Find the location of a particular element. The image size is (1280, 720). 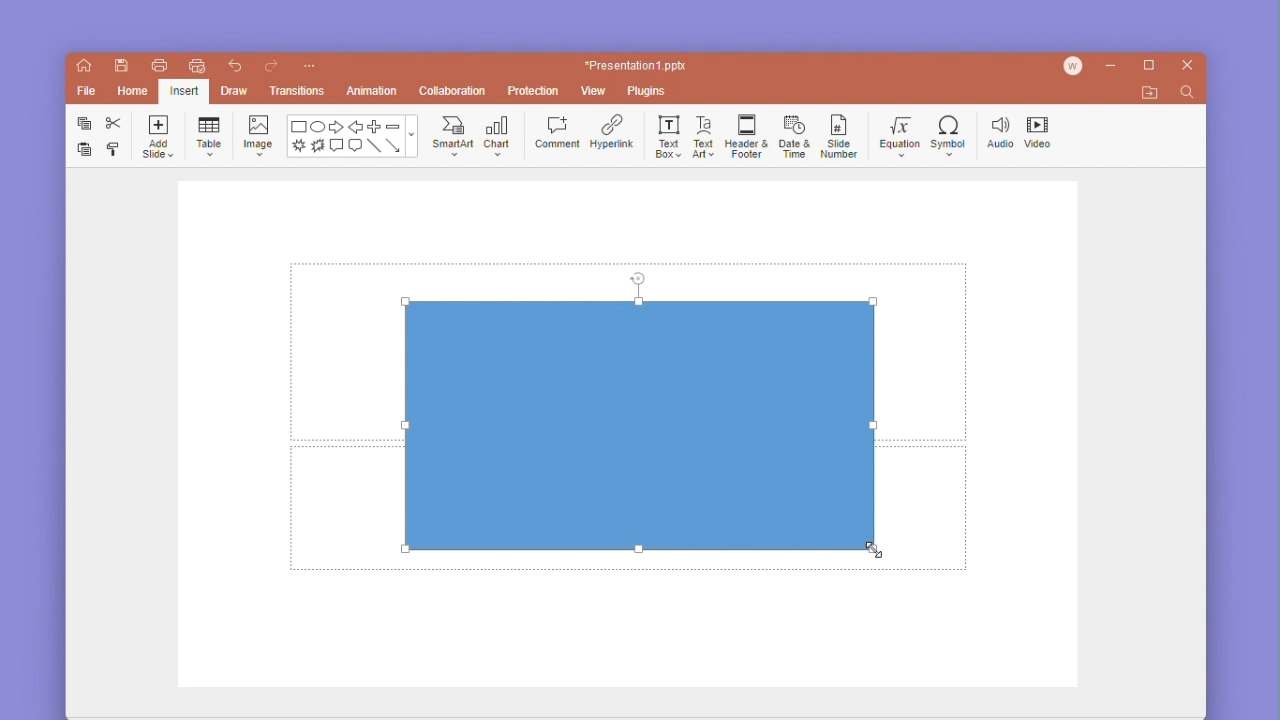

add slide is located at coordinates (157, 137).